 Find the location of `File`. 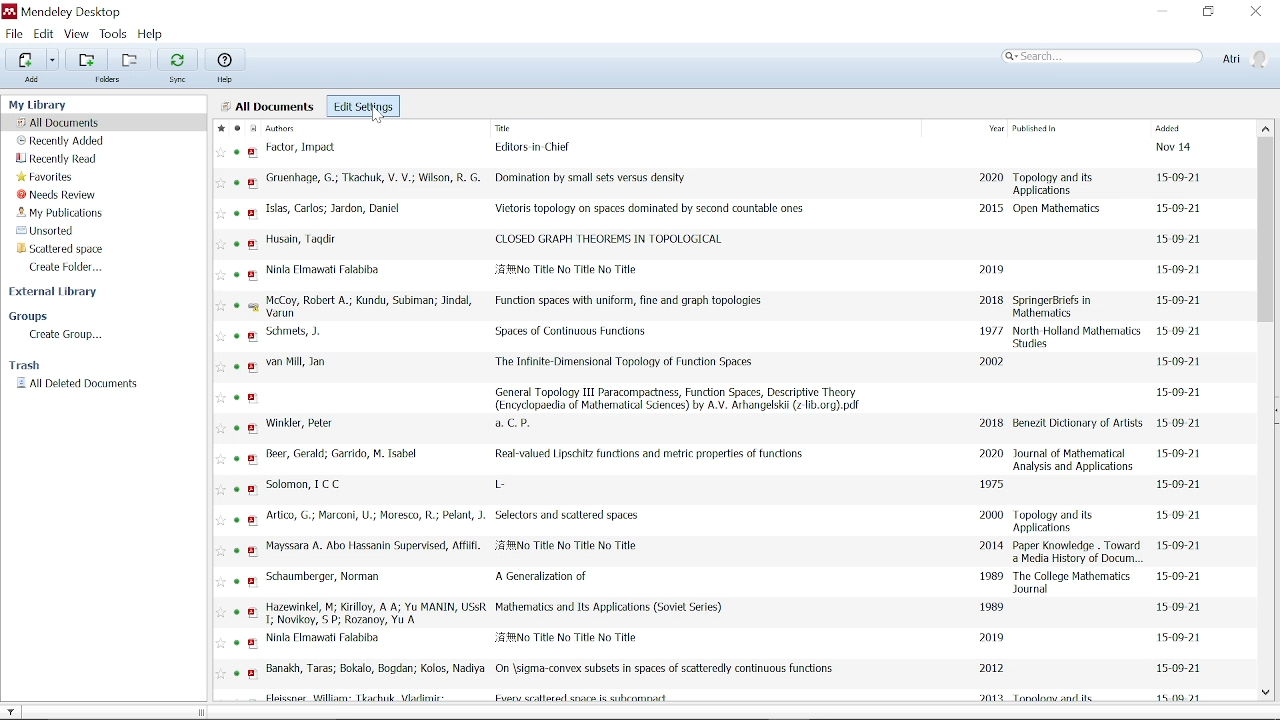

File is located at coordinates (14, 34).